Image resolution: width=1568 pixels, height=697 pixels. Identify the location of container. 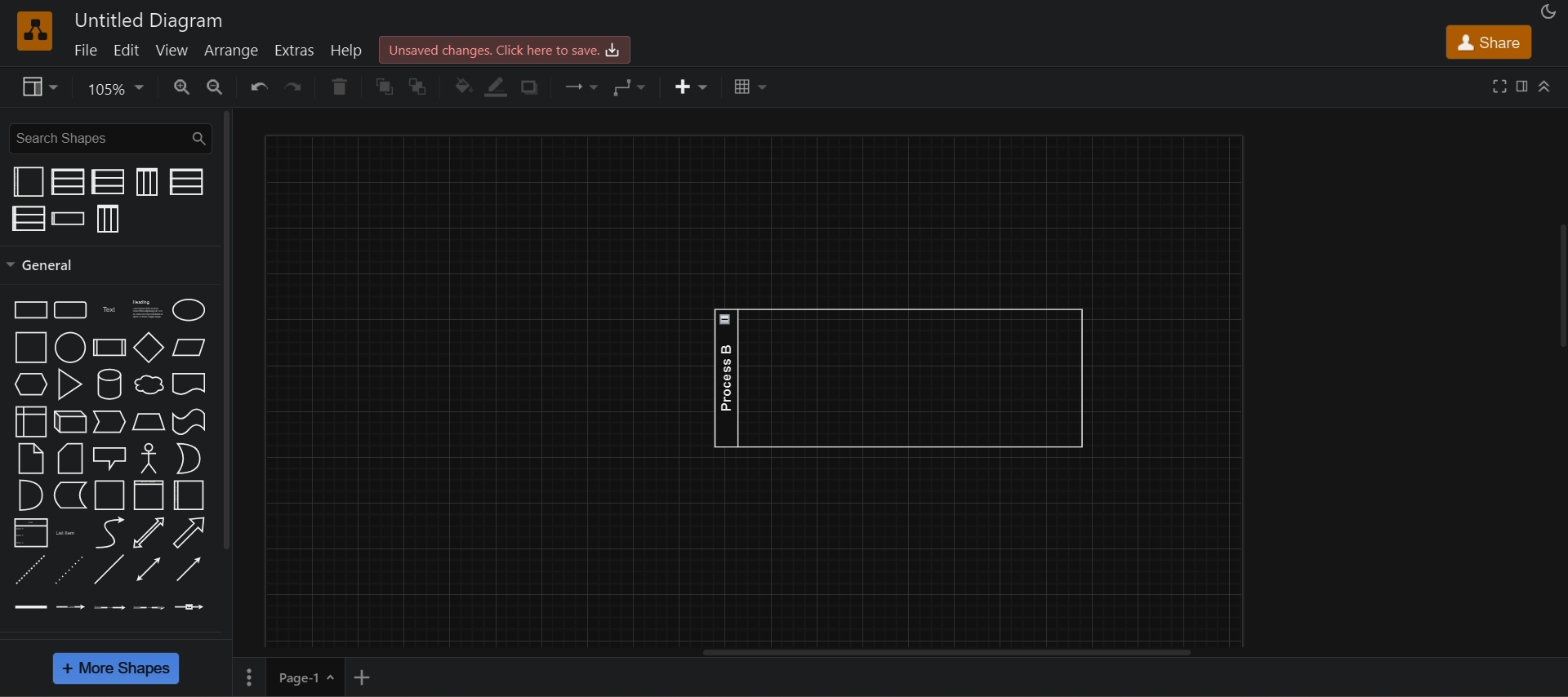
(29, 181).